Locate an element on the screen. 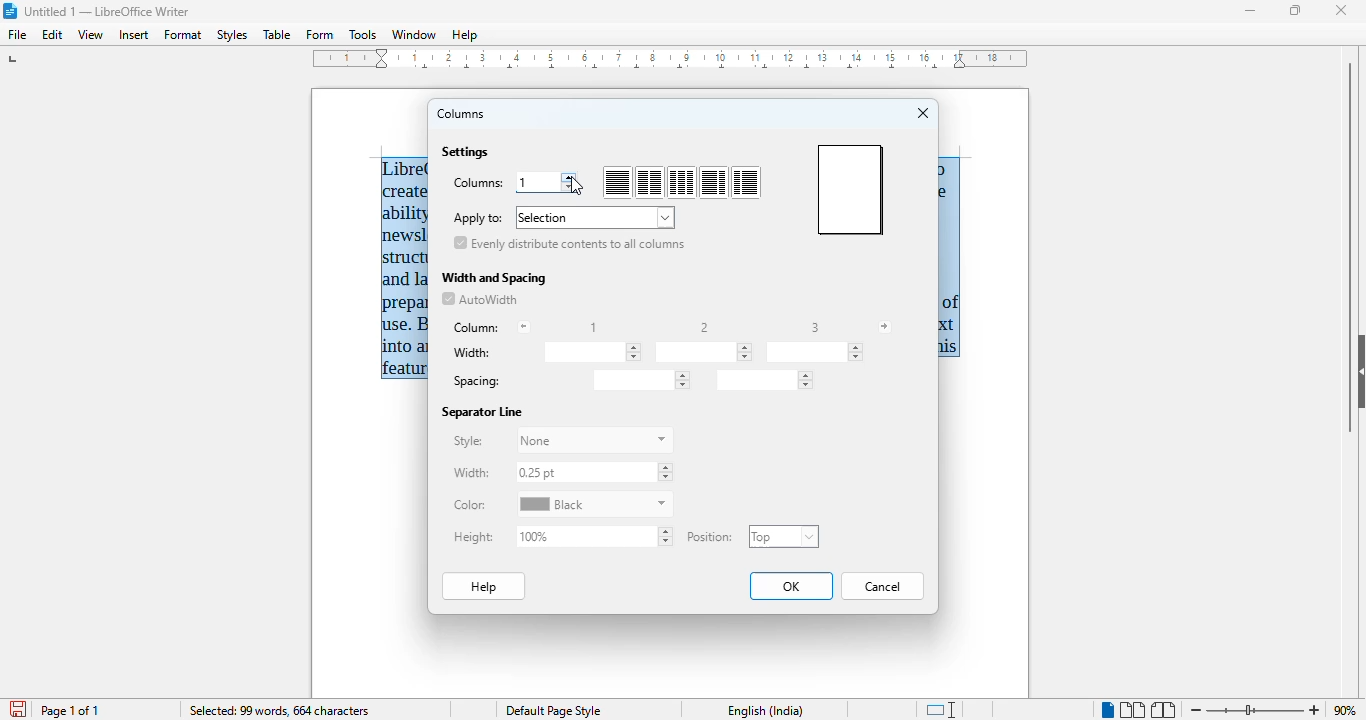 The width and height of the screenshot is (1366, 720). color:  is located at coordinates (470, 505).